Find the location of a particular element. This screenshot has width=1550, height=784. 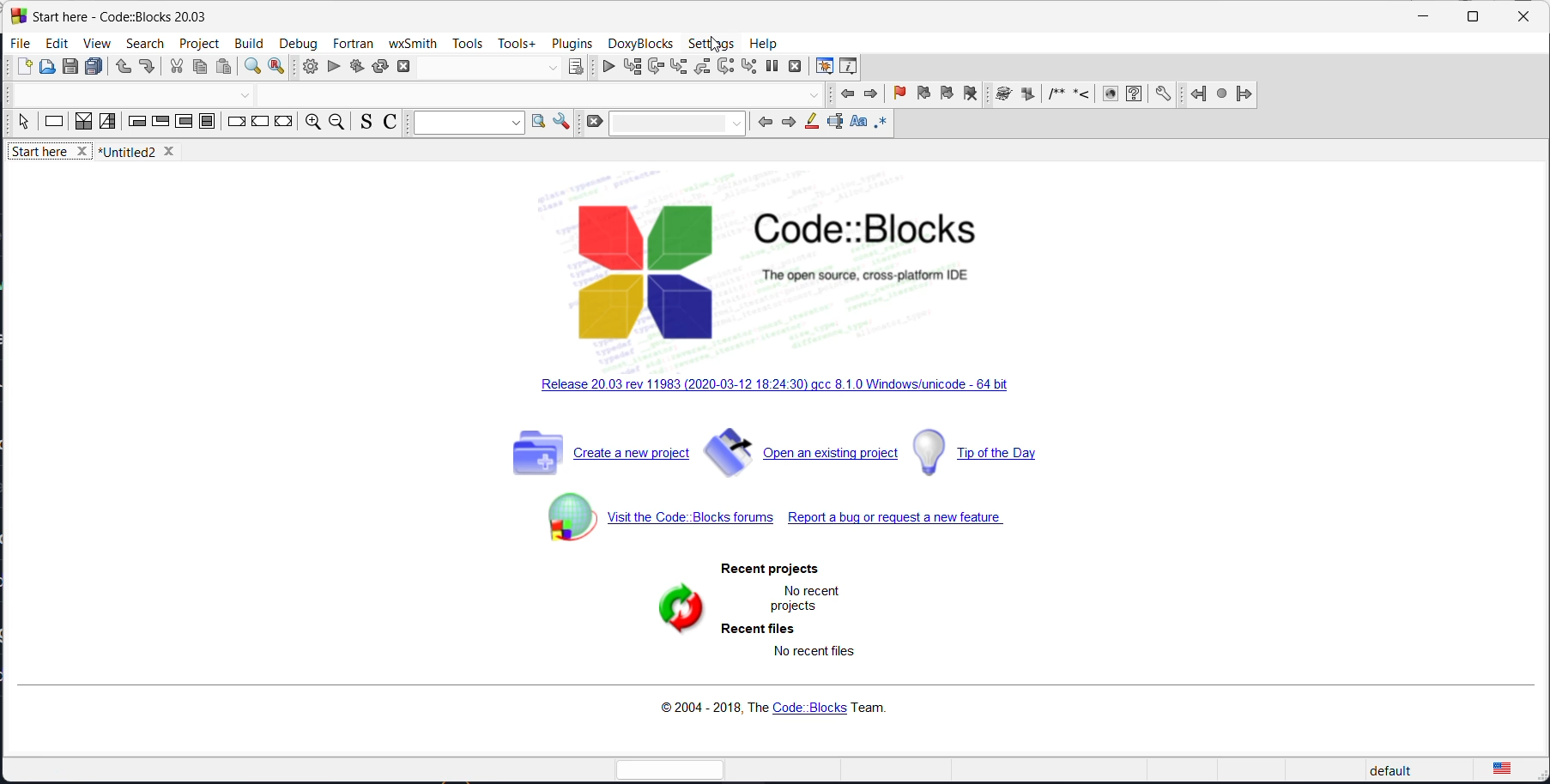

undo is located at coordinates (119, 69).